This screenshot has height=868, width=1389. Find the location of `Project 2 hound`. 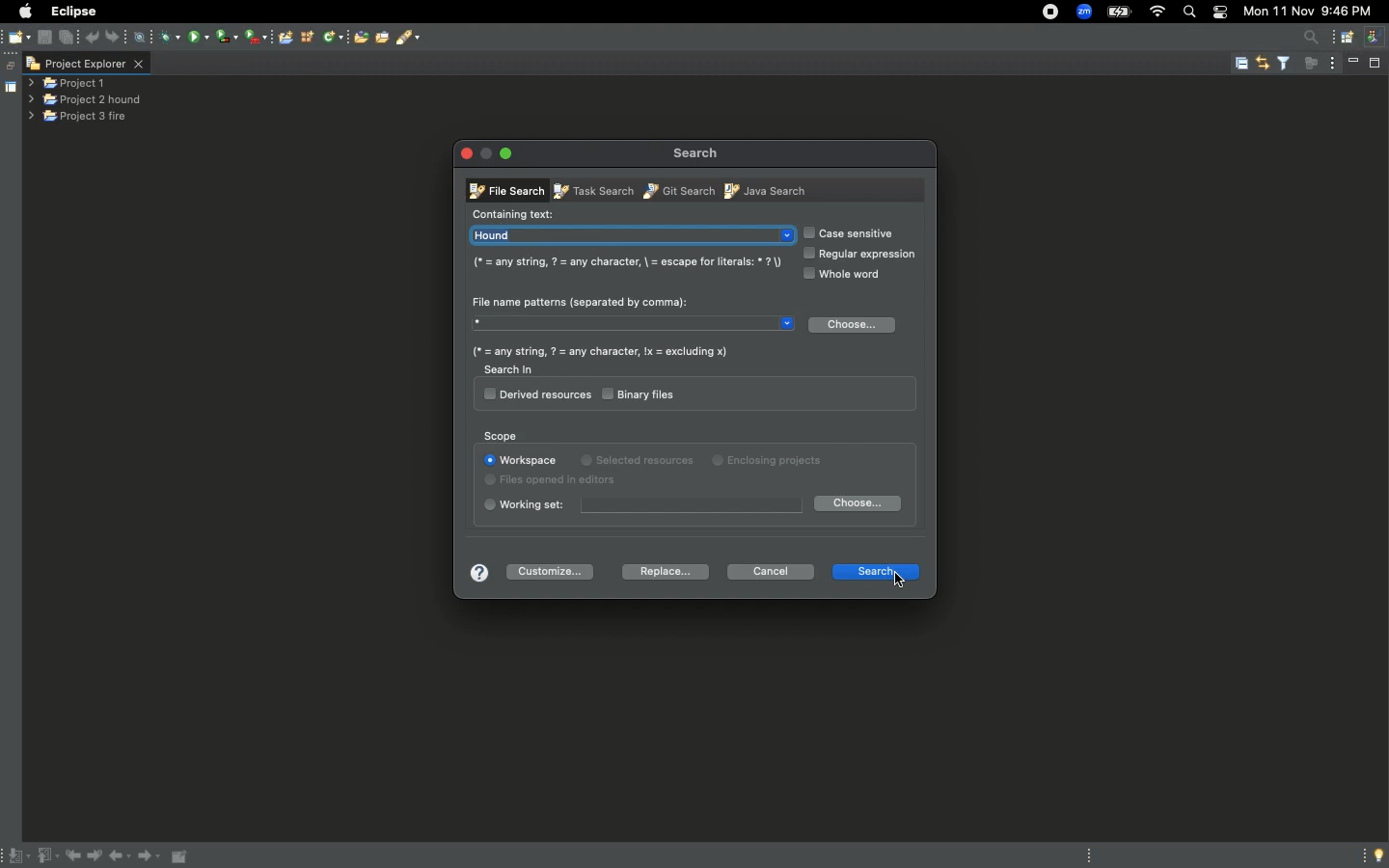

Project 2 hound is located at coordinates (88, 99).